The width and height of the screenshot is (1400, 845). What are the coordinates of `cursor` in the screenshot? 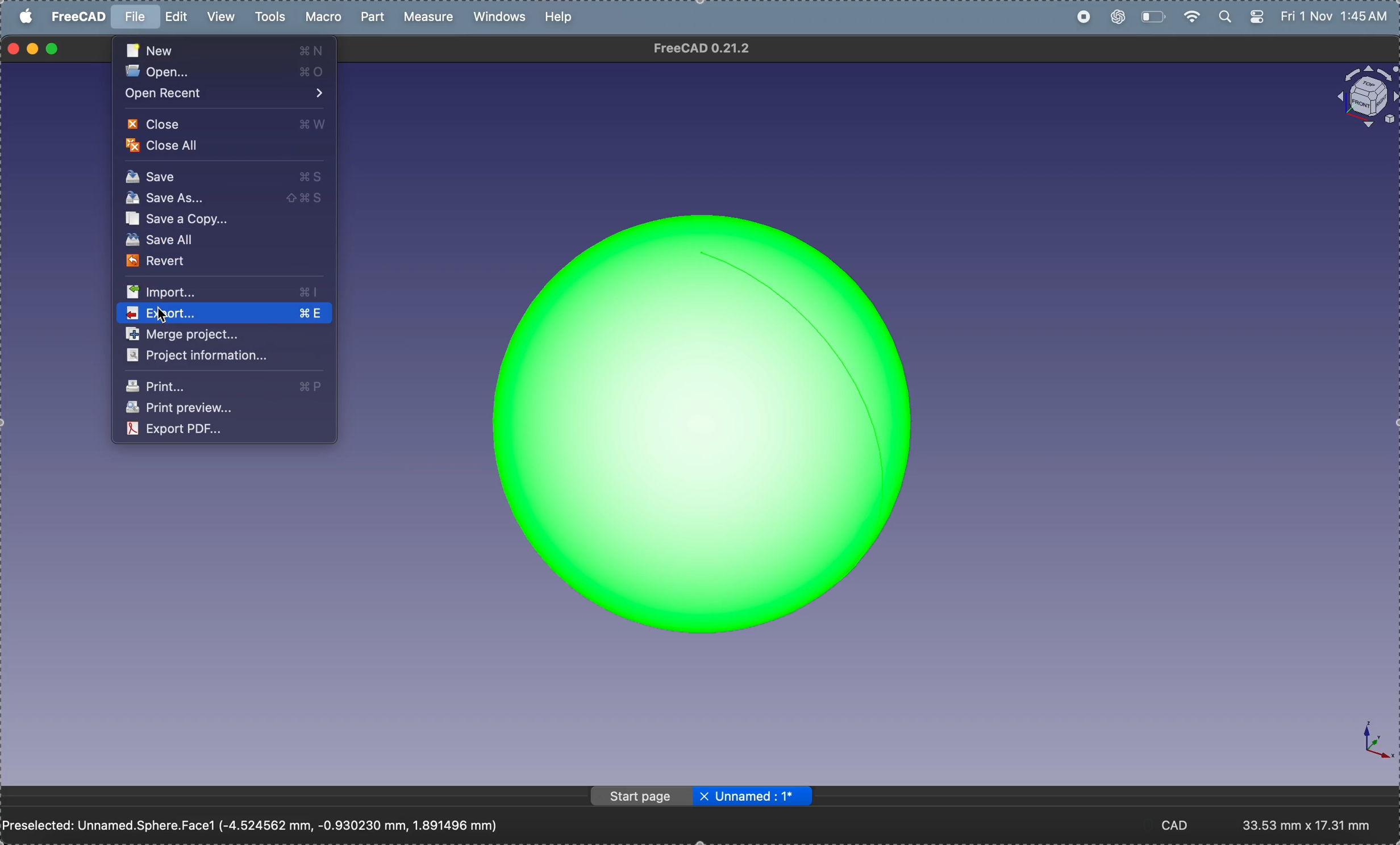 It's located at (164, 315).